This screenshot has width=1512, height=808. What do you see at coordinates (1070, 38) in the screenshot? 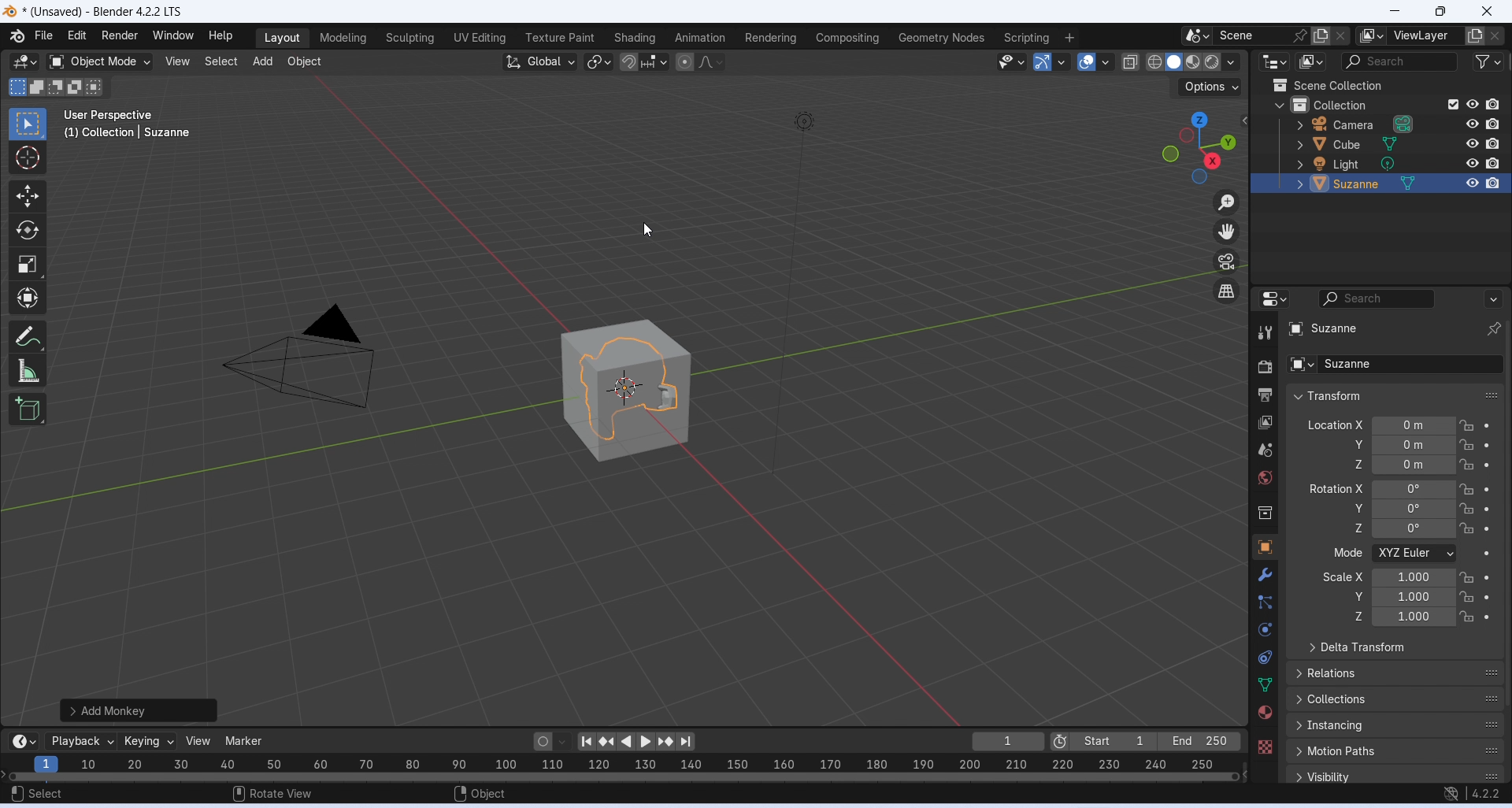
I see `Add workspace` at bounding box center [1070, 38].